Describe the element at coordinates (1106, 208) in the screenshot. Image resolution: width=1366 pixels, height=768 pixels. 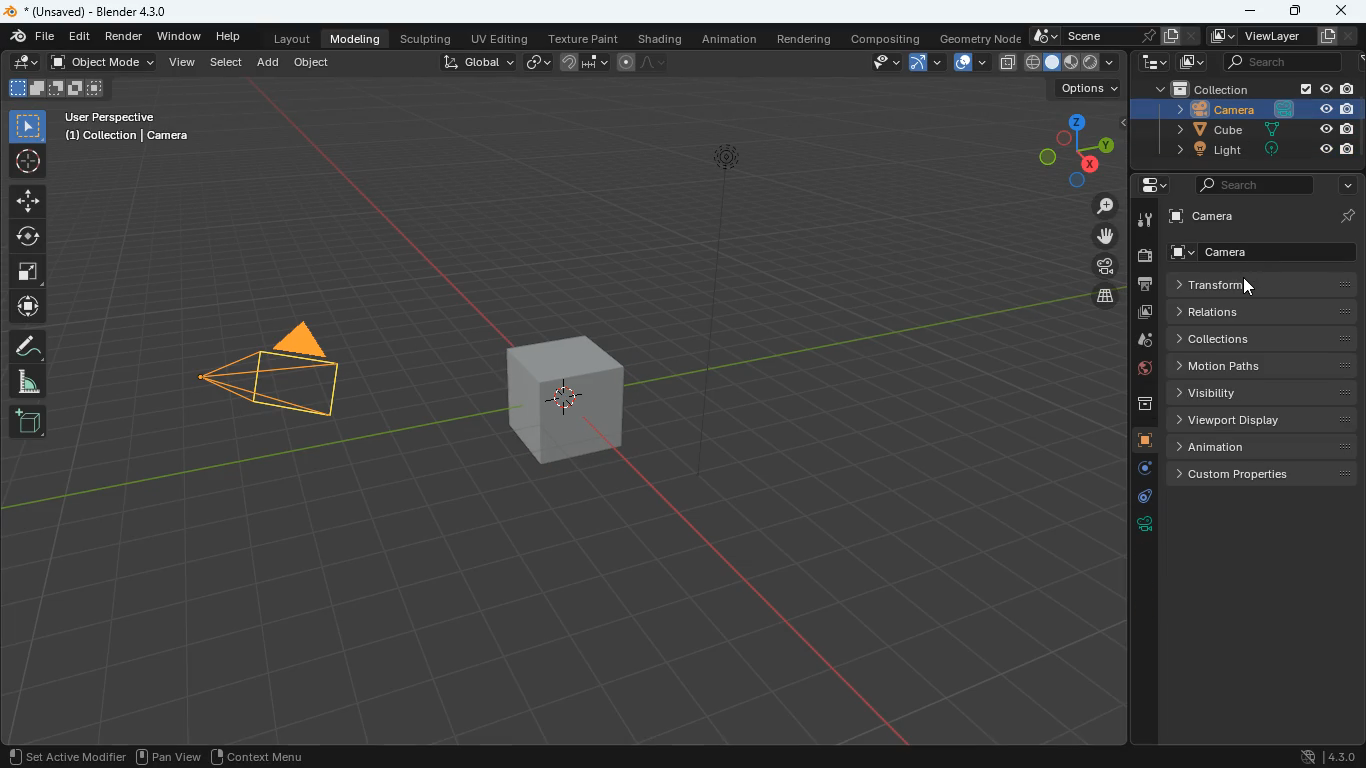
I see `zoom` at that location.